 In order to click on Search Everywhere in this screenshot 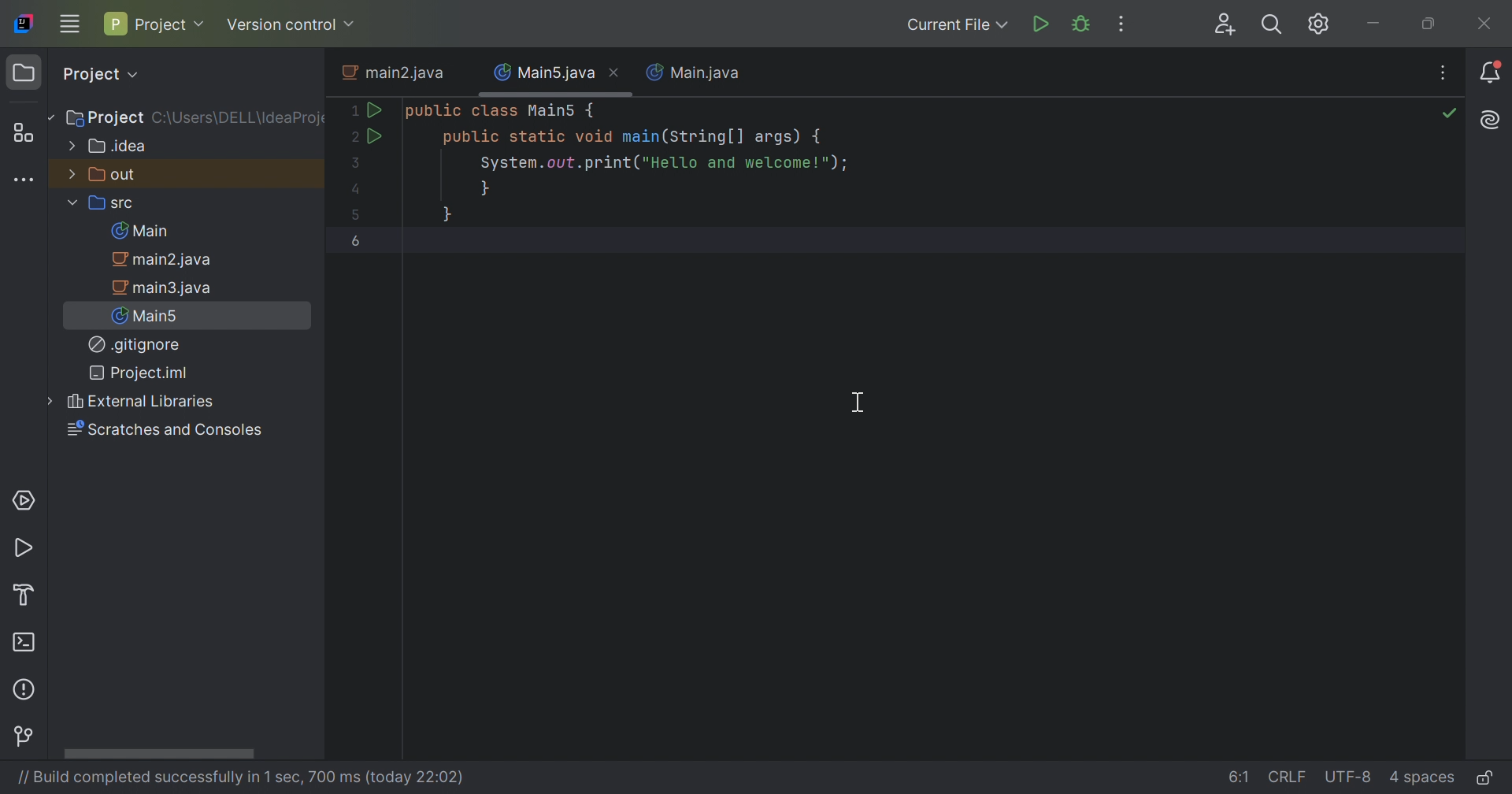, I will do `click(1271, 25)`.